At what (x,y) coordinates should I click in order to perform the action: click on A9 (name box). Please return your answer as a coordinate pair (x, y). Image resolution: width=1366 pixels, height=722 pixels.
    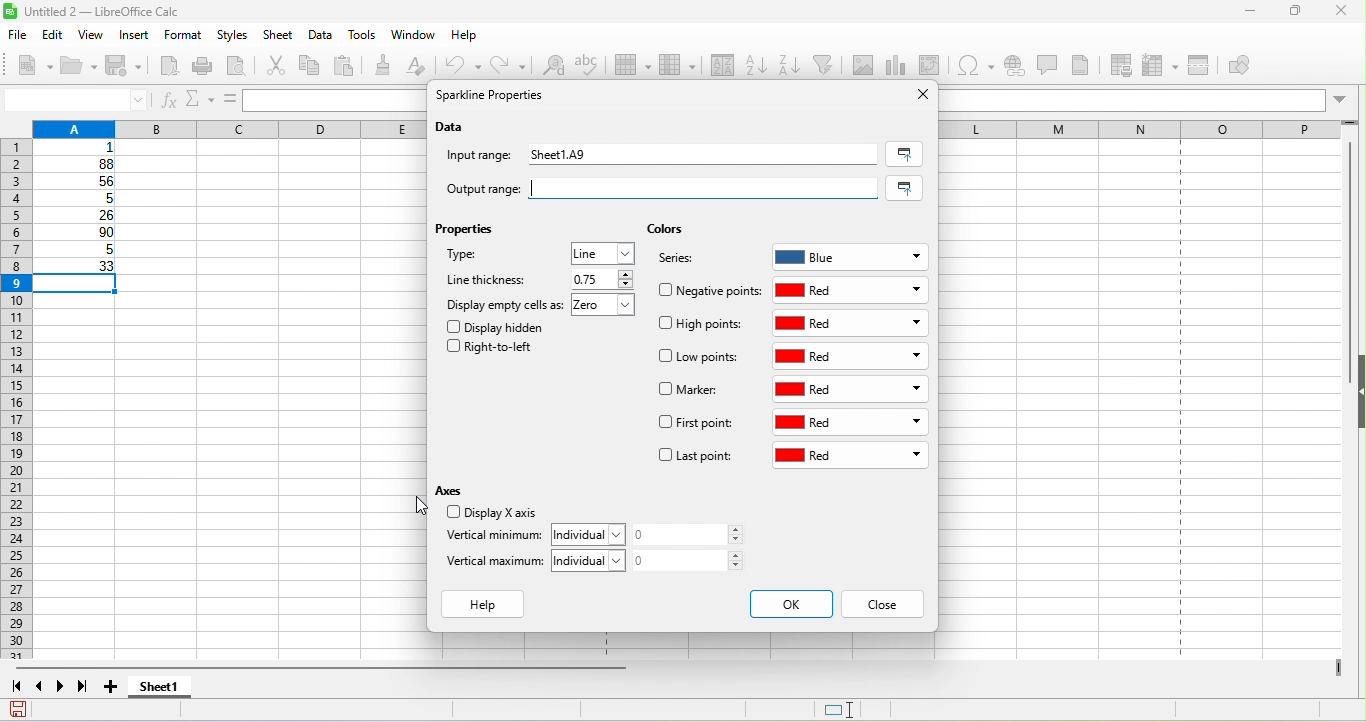
    Looking at the image, I should click on (75, 99).